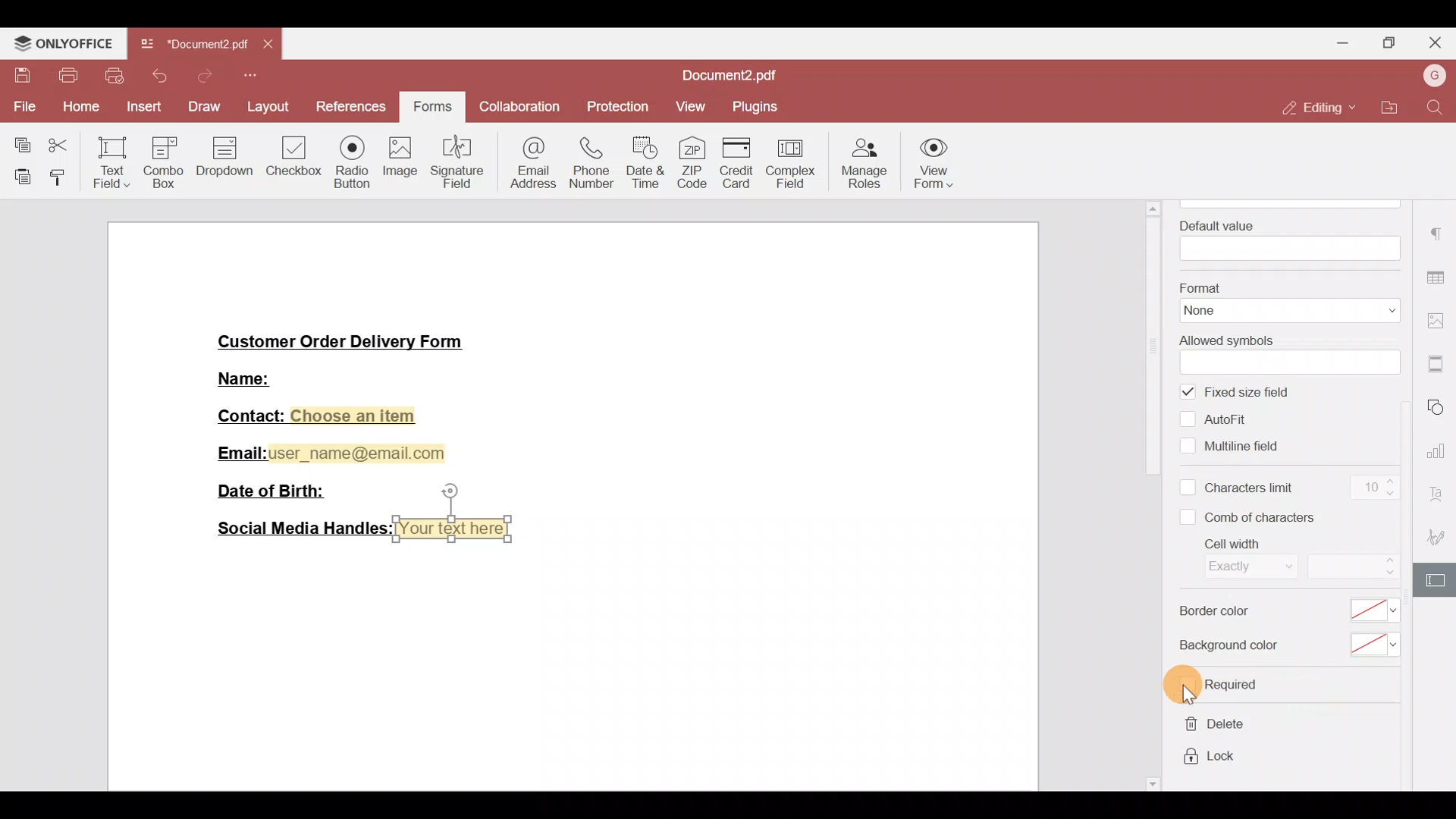 This screenshot has height=819, width=1456. What do you see at coordinates (1370, 489) in the screenshot?
I see `Character limit count` at bounding box center [1370, 489].